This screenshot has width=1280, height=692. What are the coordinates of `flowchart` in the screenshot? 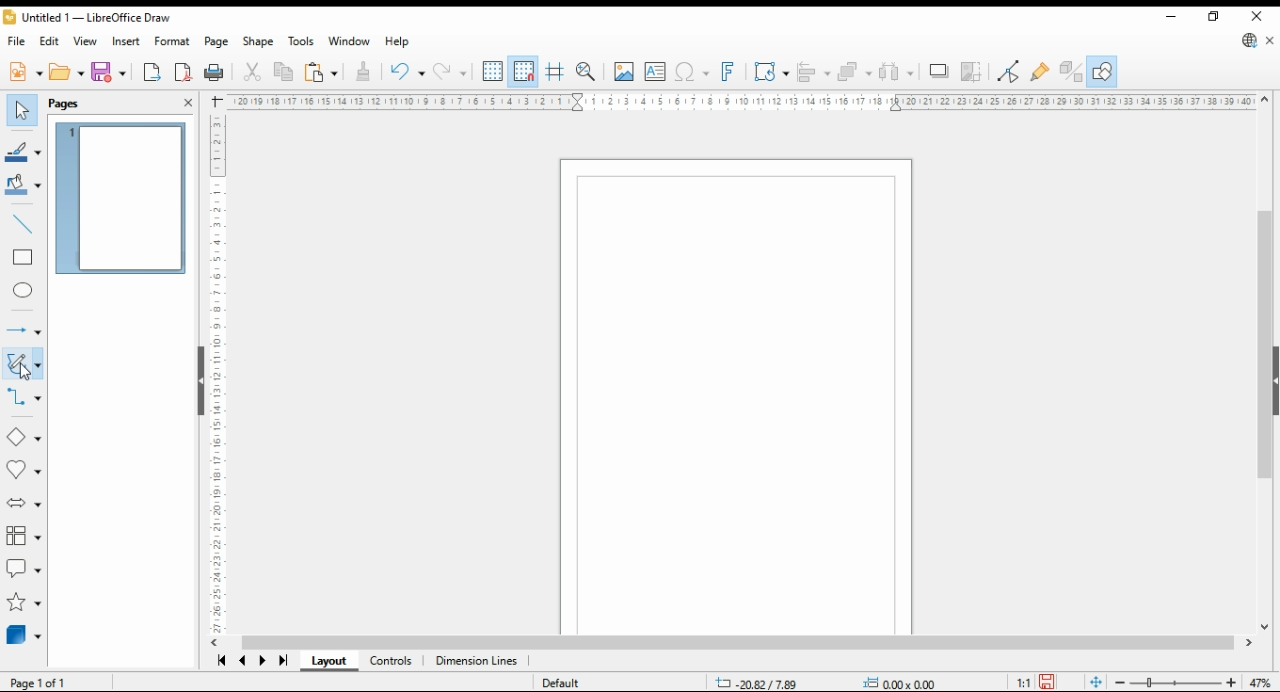 It's located at (24, 537).